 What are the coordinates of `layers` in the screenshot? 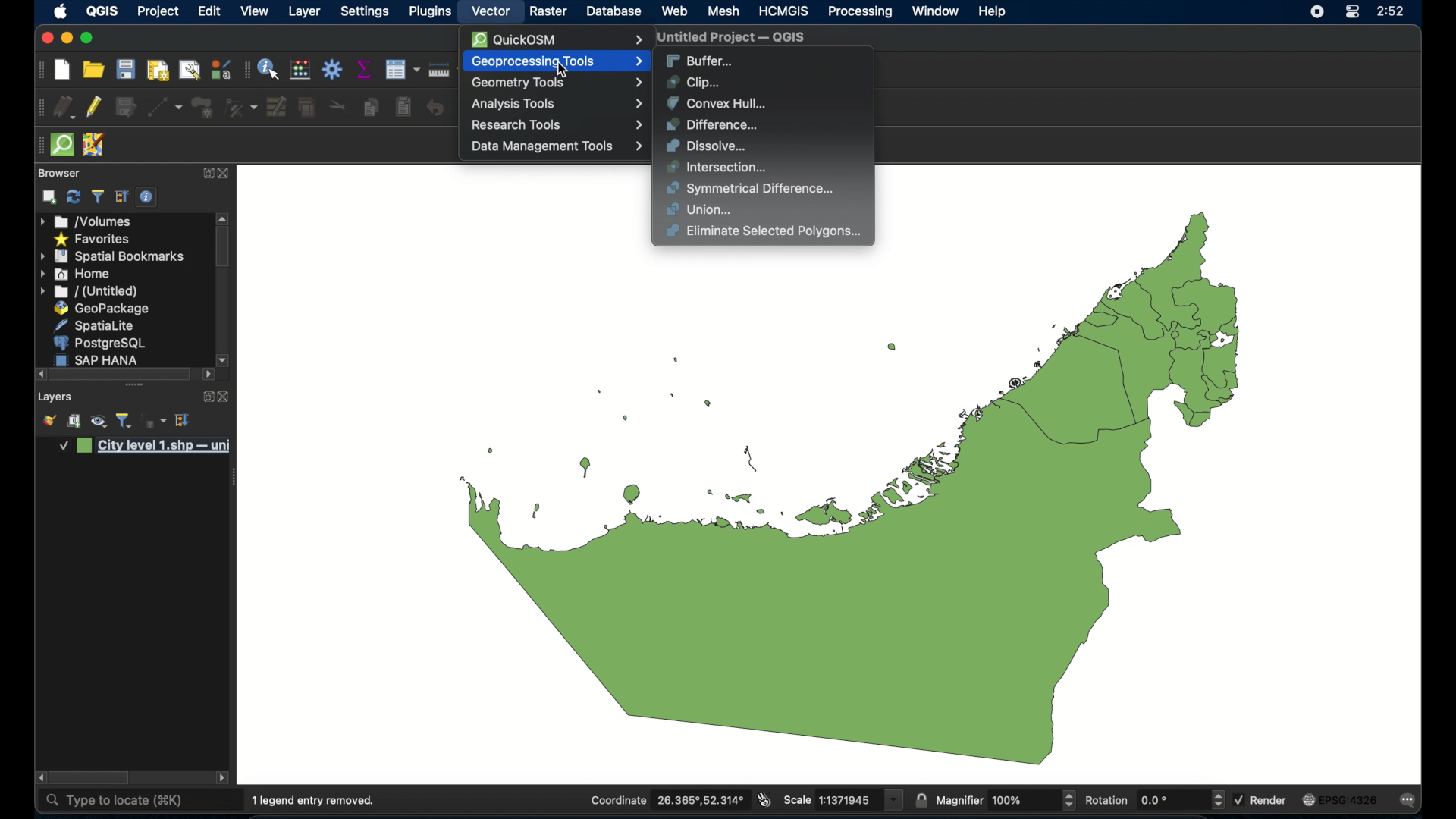 It's located at (55, 397).